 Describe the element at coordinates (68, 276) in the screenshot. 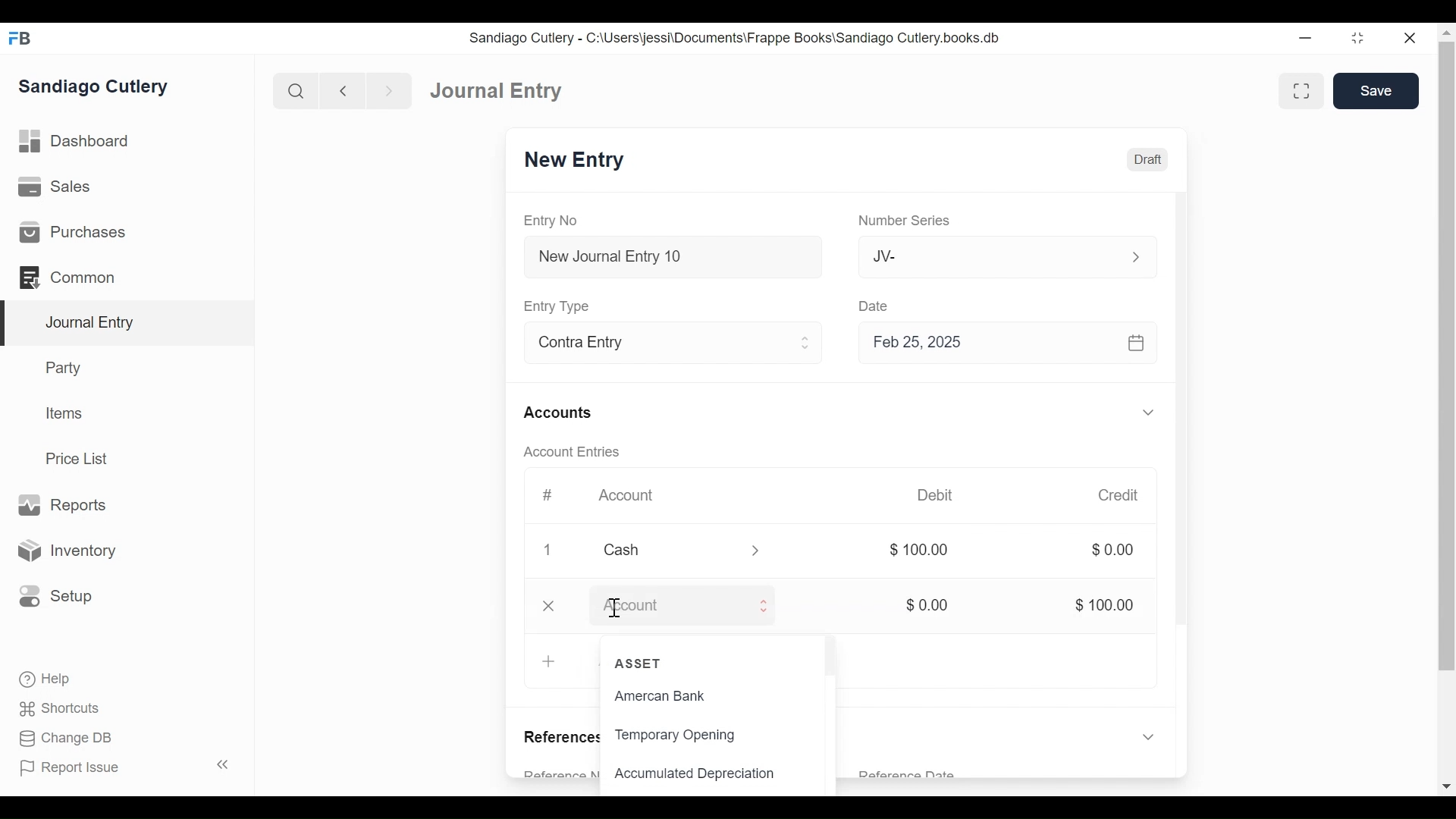

I see `Common` at that location.